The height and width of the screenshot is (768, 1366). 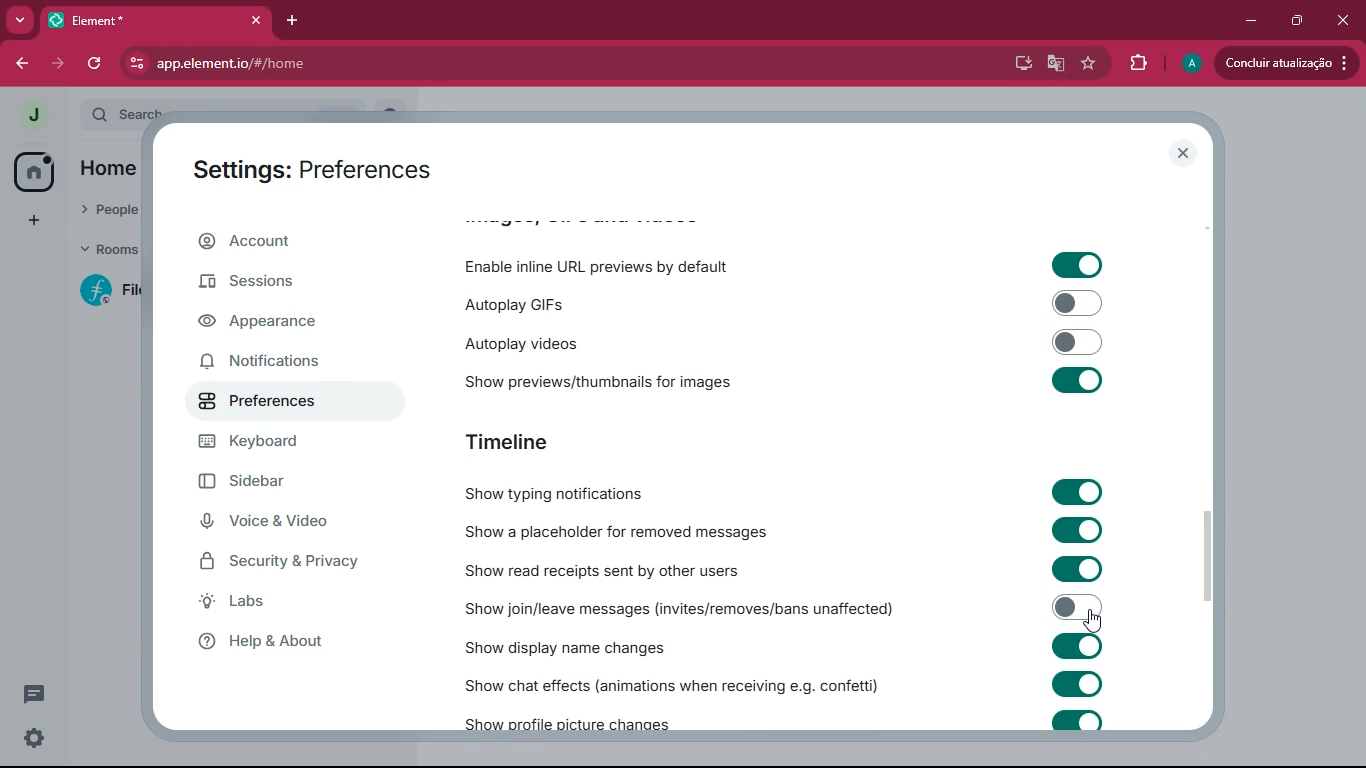 What do you see at coordinates (673, 607) in the screenshot?
I see `show join/leave messages (invites/removes/bans unaffected)` at bounding box center [673, 607].